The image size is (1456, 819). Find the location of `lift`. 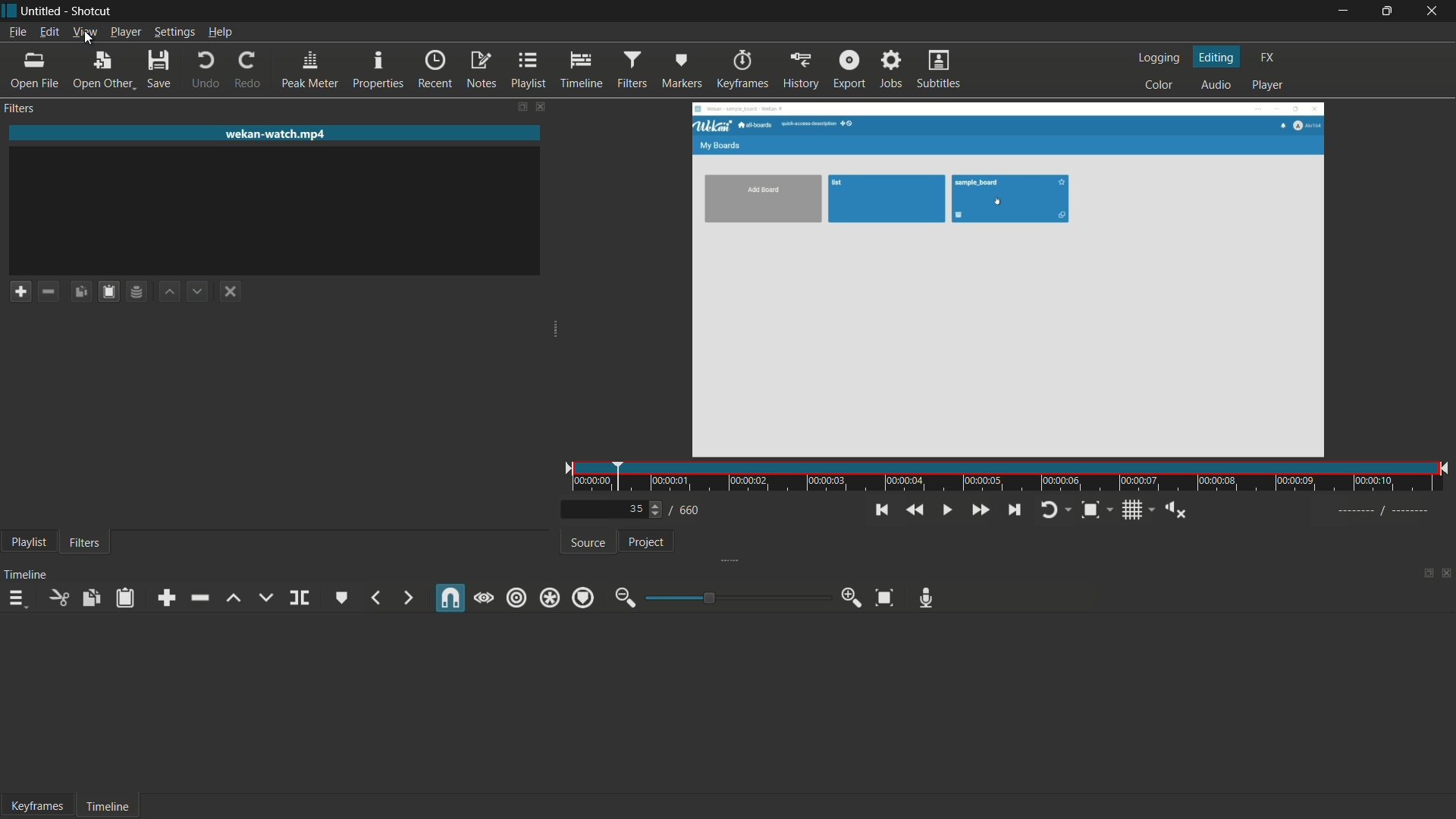

lift is located at coordinates (234, 598).